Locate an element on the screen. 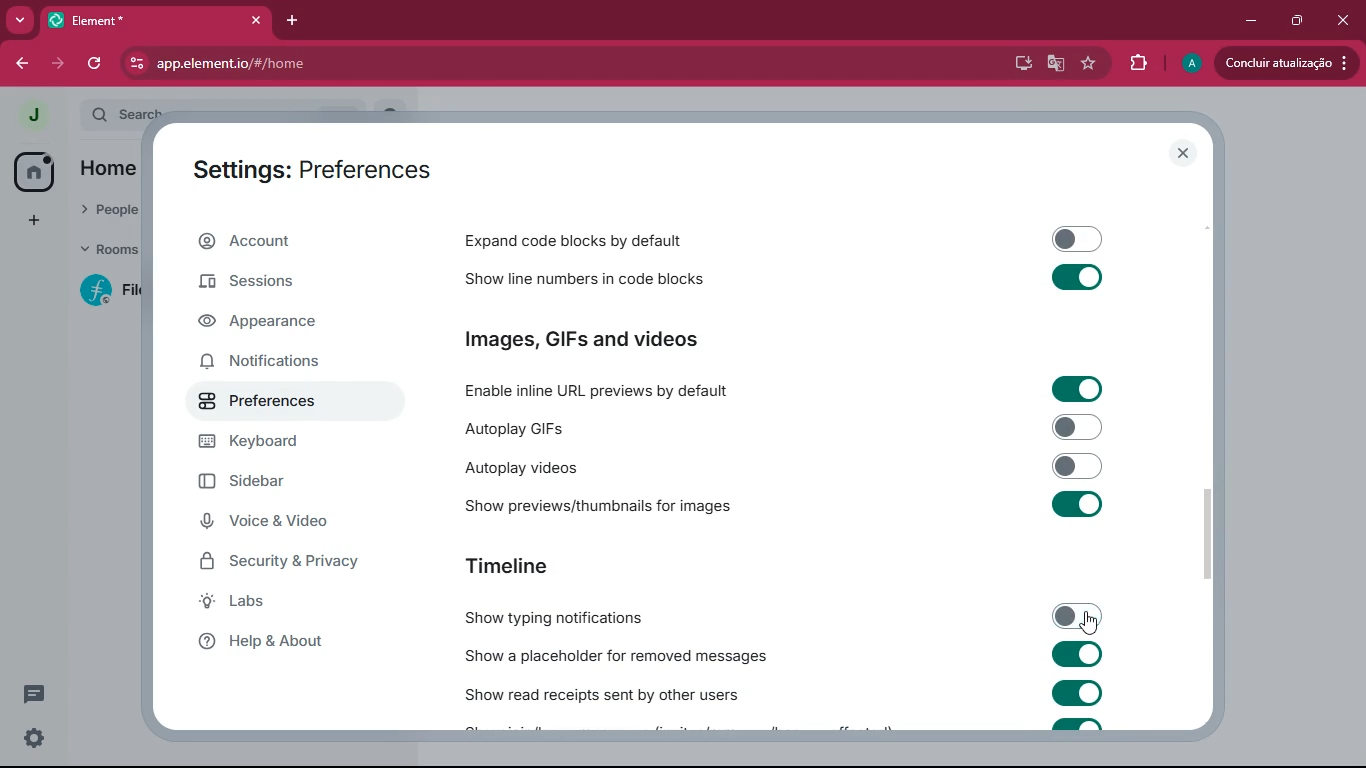 The height and width of the screenshot is (768, 1366). voice & video is located at coordinates (281, 522).